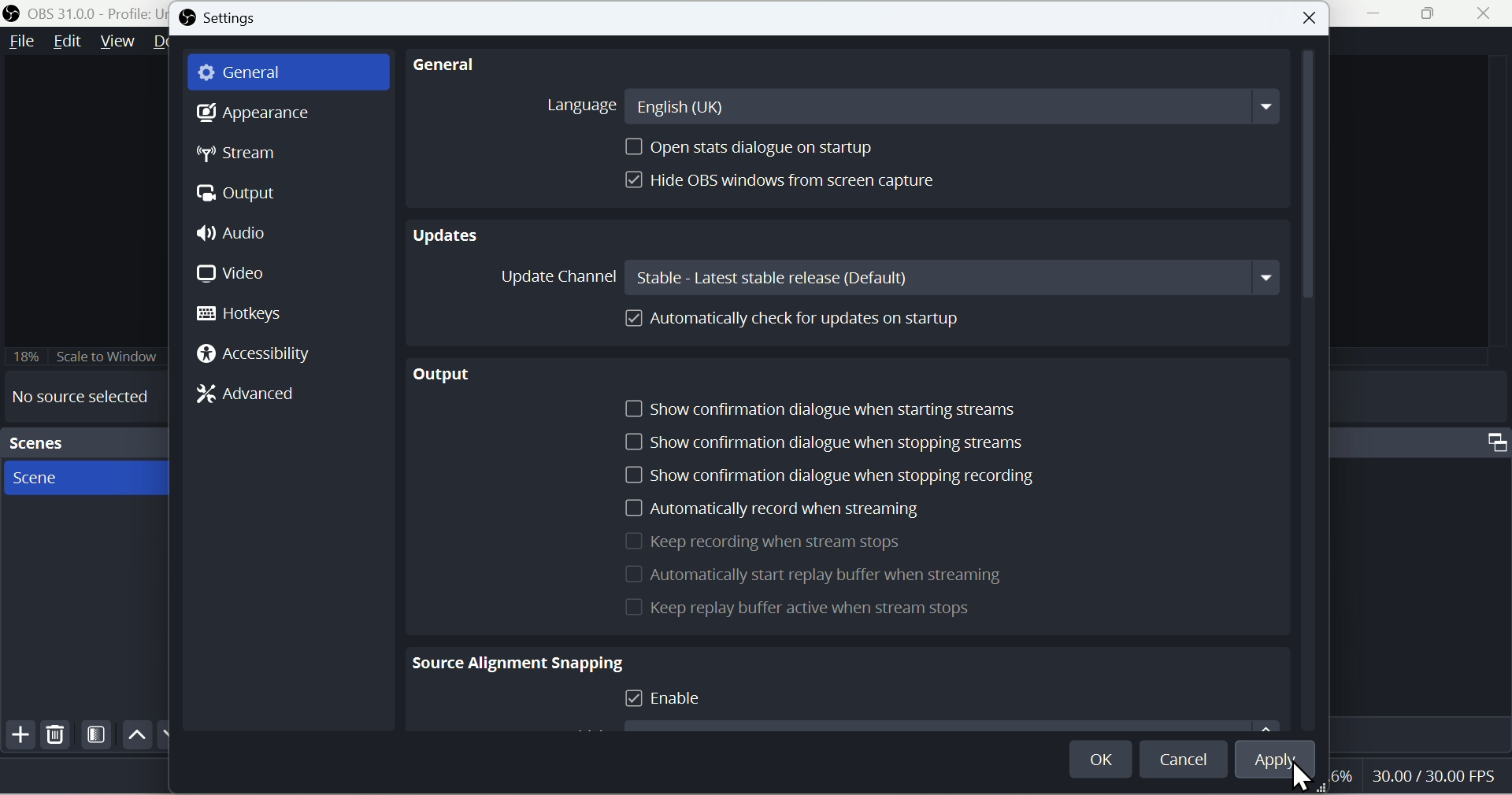  I want to click on 18% Scale to Window, so click(112, 355).